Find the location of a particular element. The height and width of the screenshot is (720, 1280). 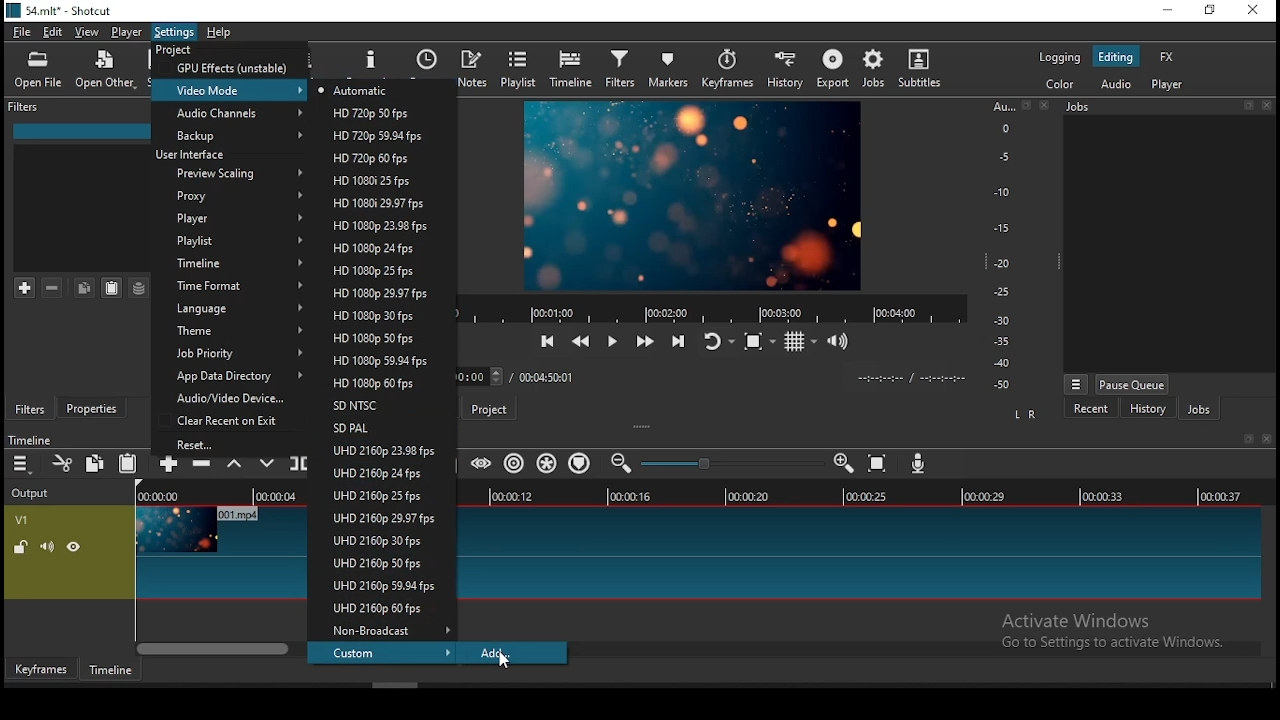

filters is located at coordinates (620, 68).